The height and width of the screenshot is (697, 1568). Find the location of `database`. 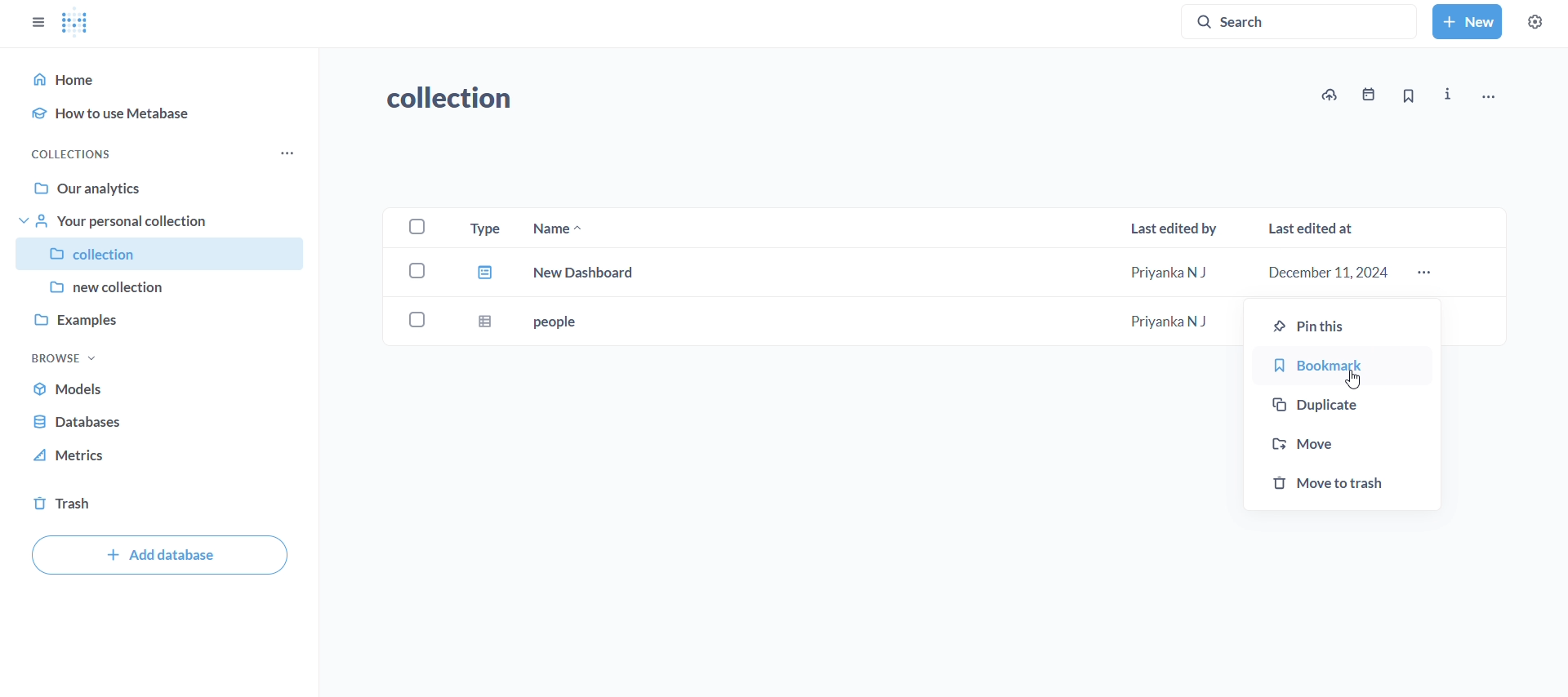

database is located at coordinates (83, 422).